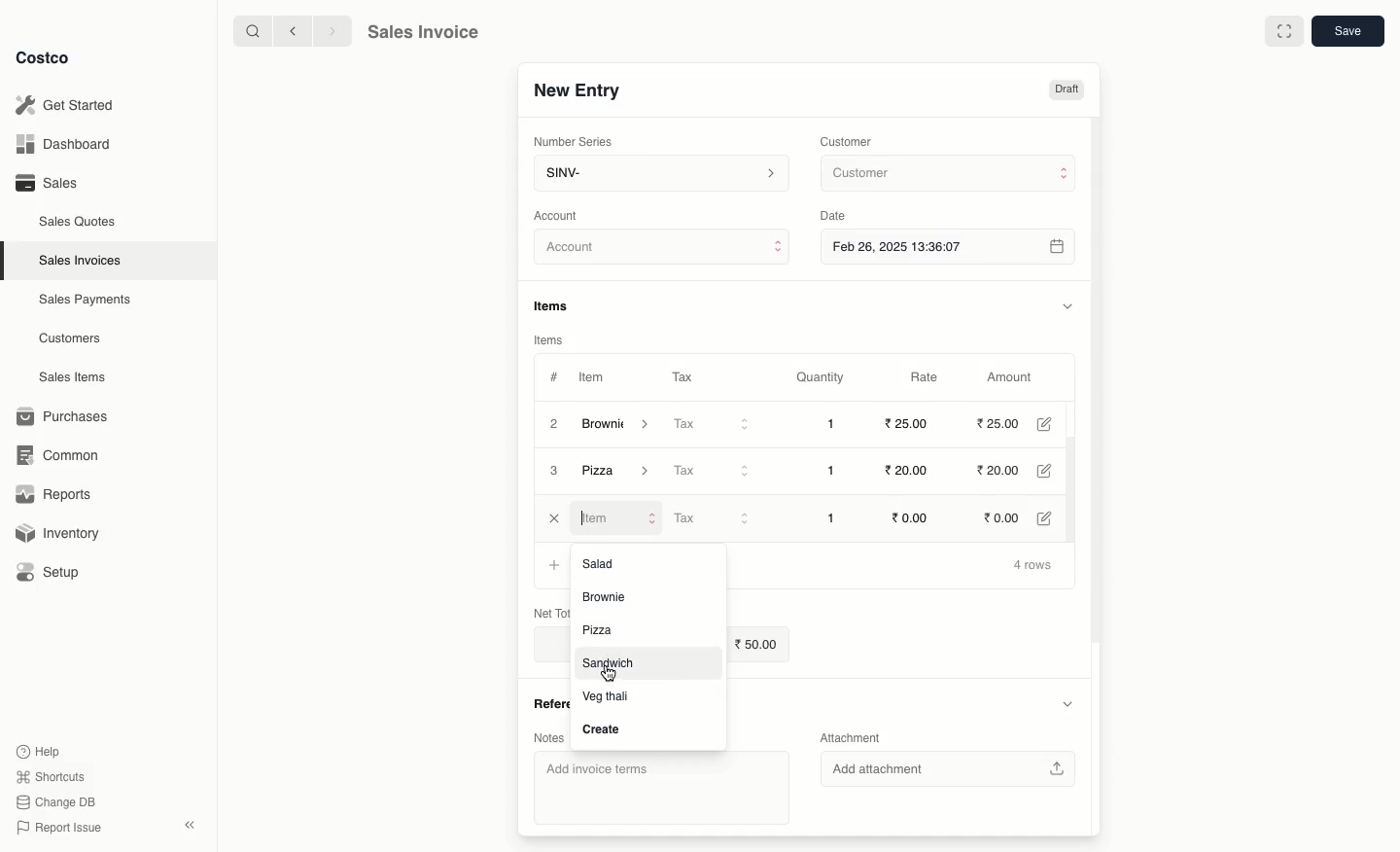 The width and height of the screenshot is (1400, 852). I want to click on Brownie, so click(610, 596).